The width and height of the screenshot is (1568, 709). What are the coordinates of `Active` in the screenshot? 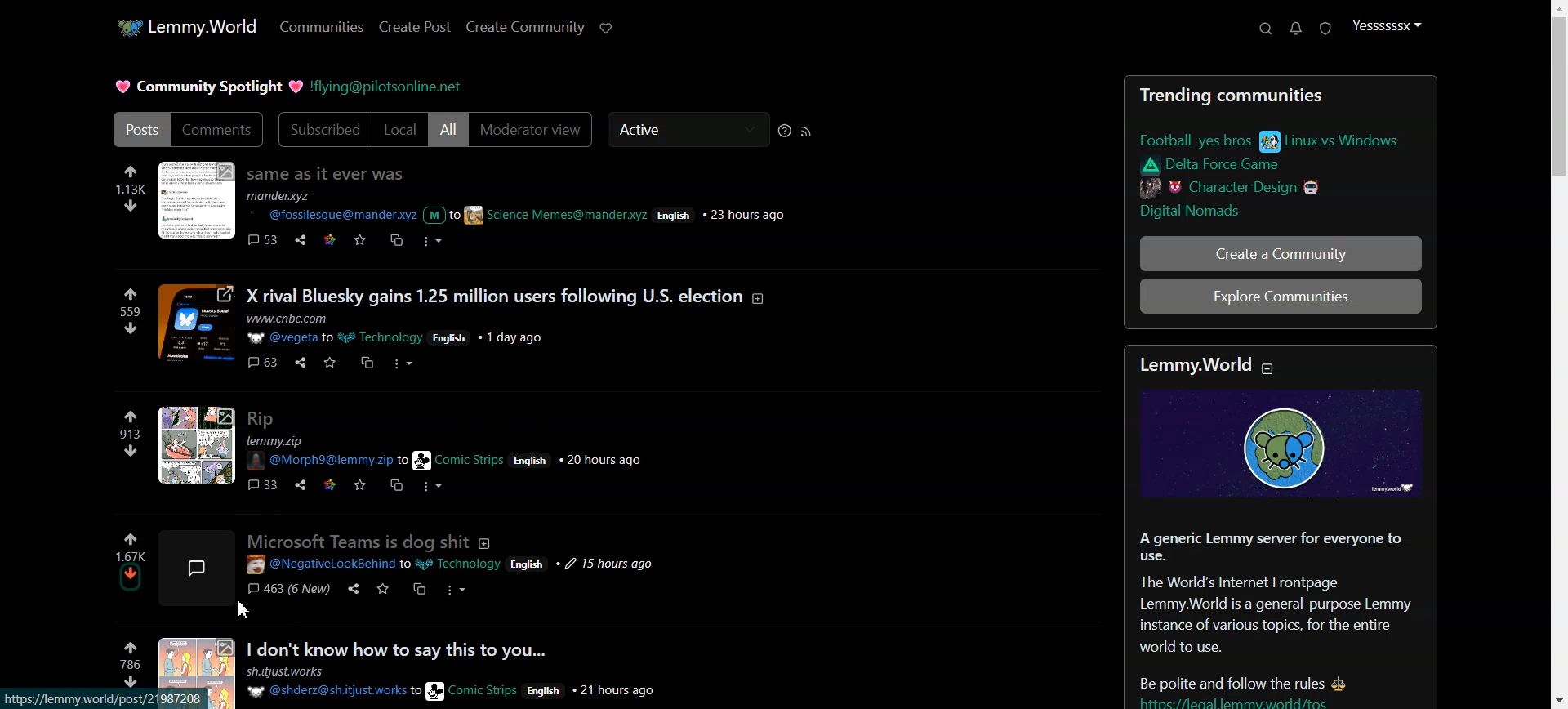 It's located at (688, 128).